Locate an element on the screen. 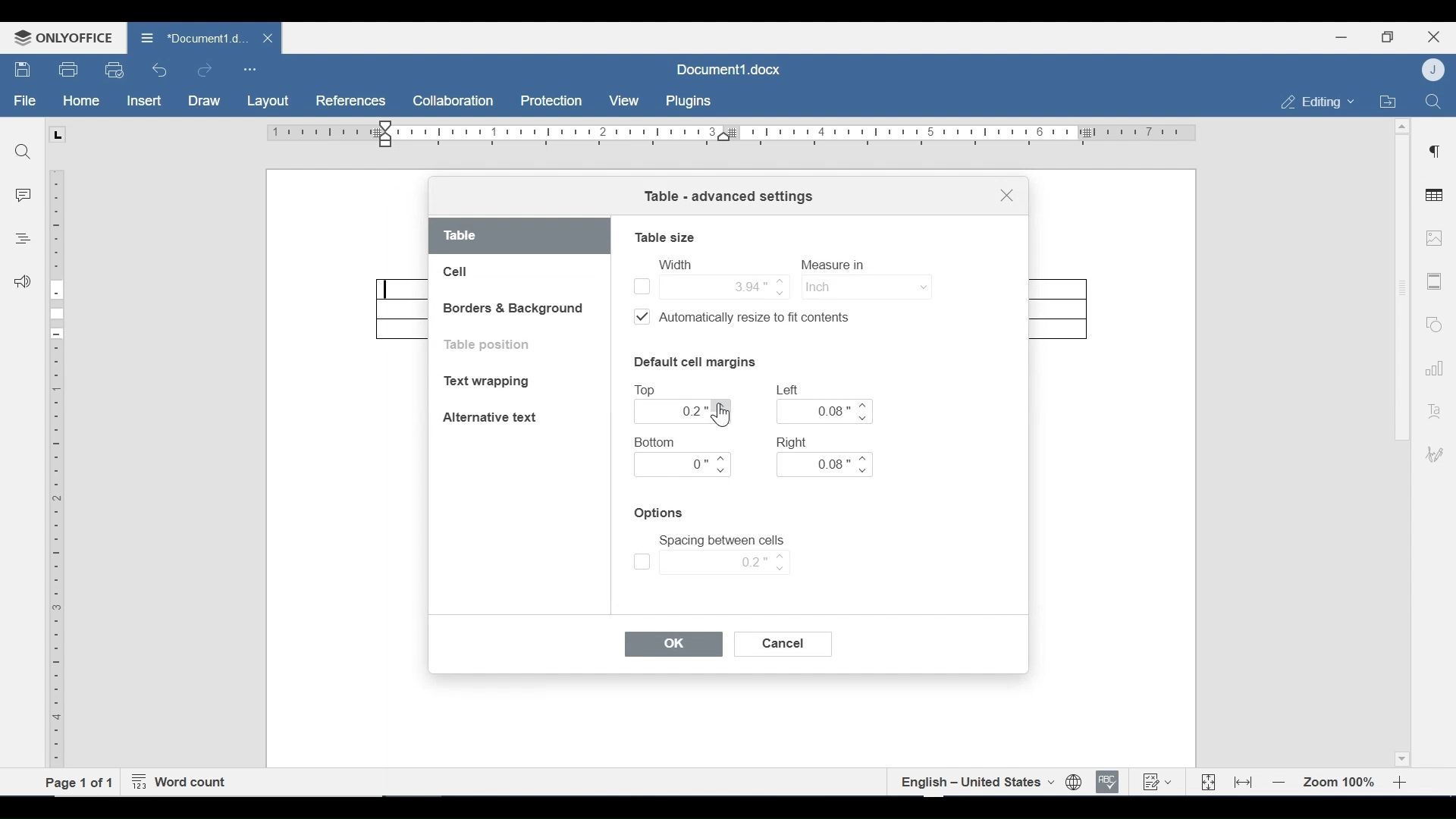 The height and width of the screenshot is (819, 1456). Scroll bar is located at coordinates (1401, 287).